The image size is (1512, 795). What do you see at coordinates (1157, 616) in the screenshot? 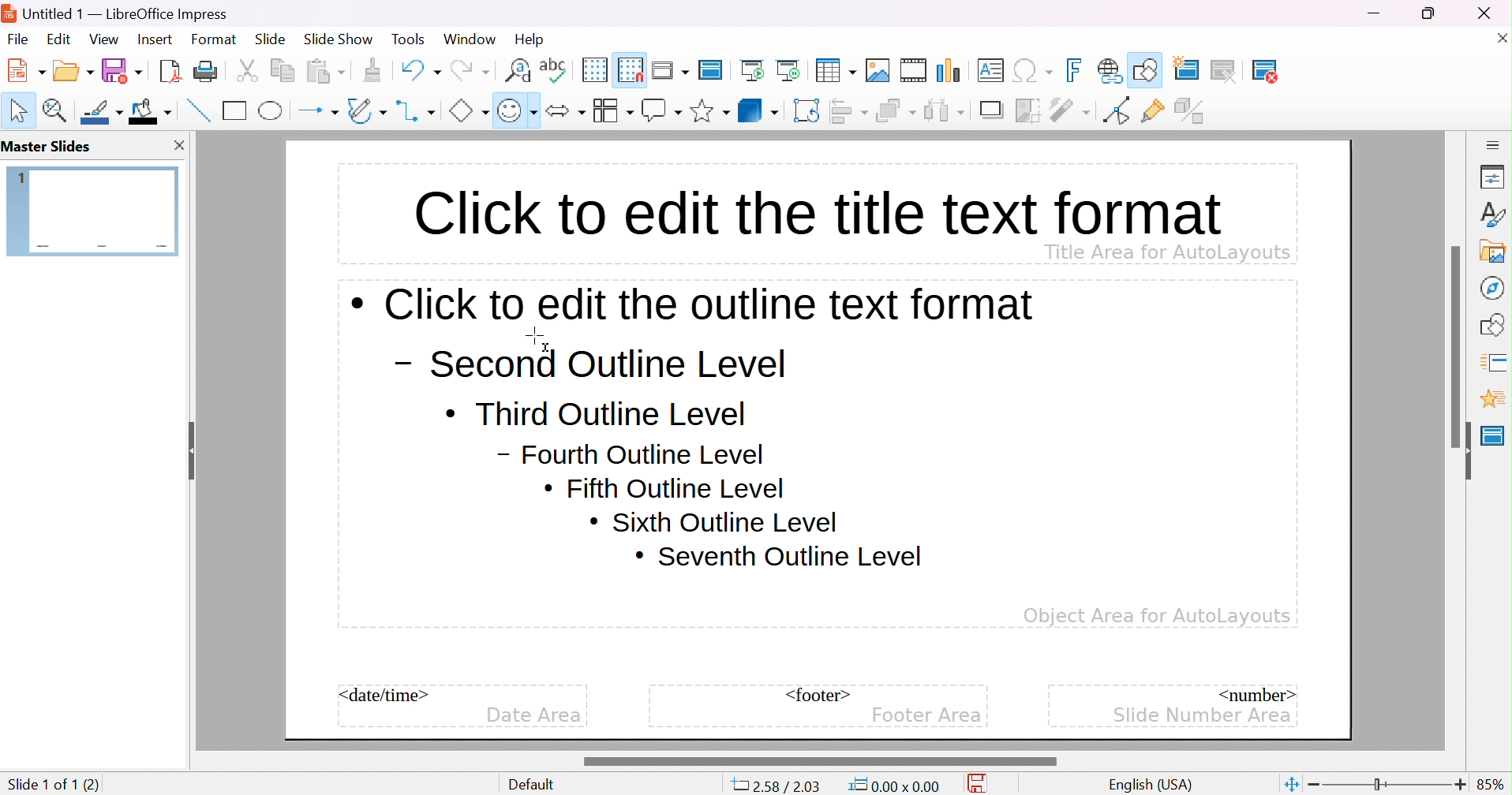
I see `object area for autolayouts` at bounding box center [1157, 616].